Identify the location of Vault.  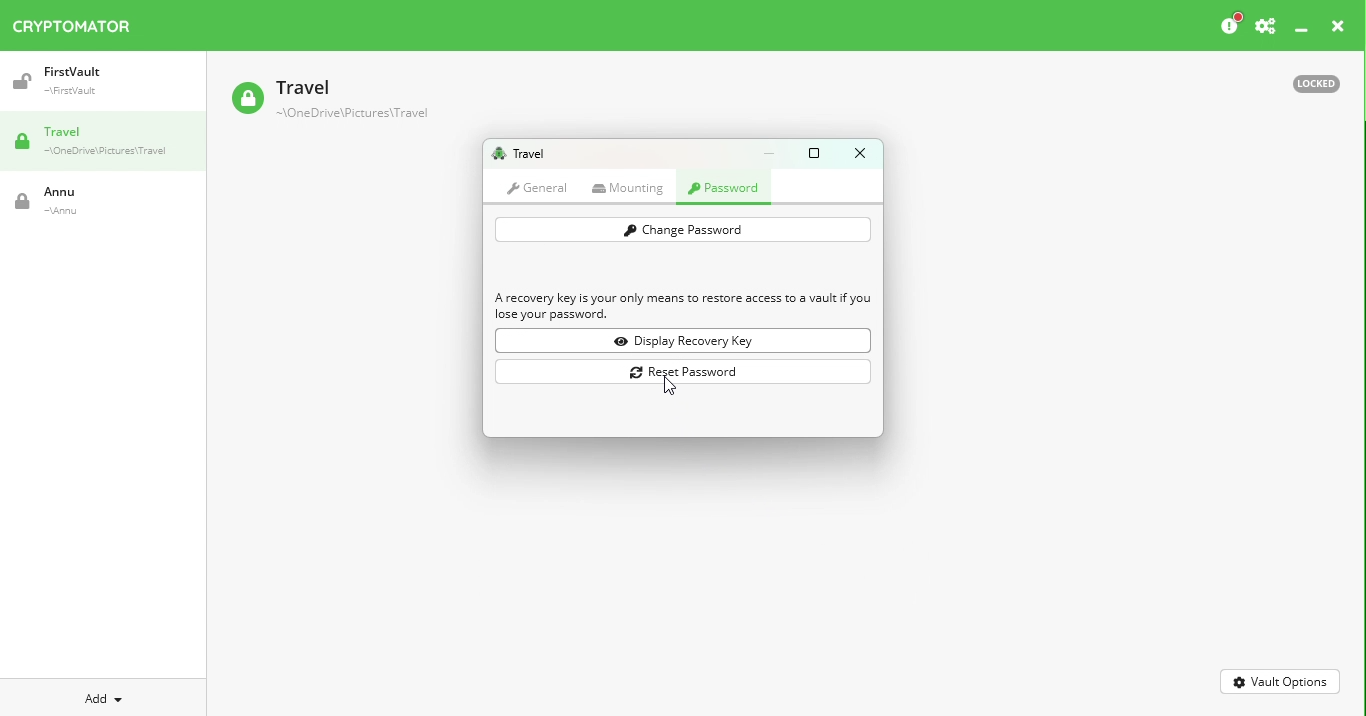
(329, 101).